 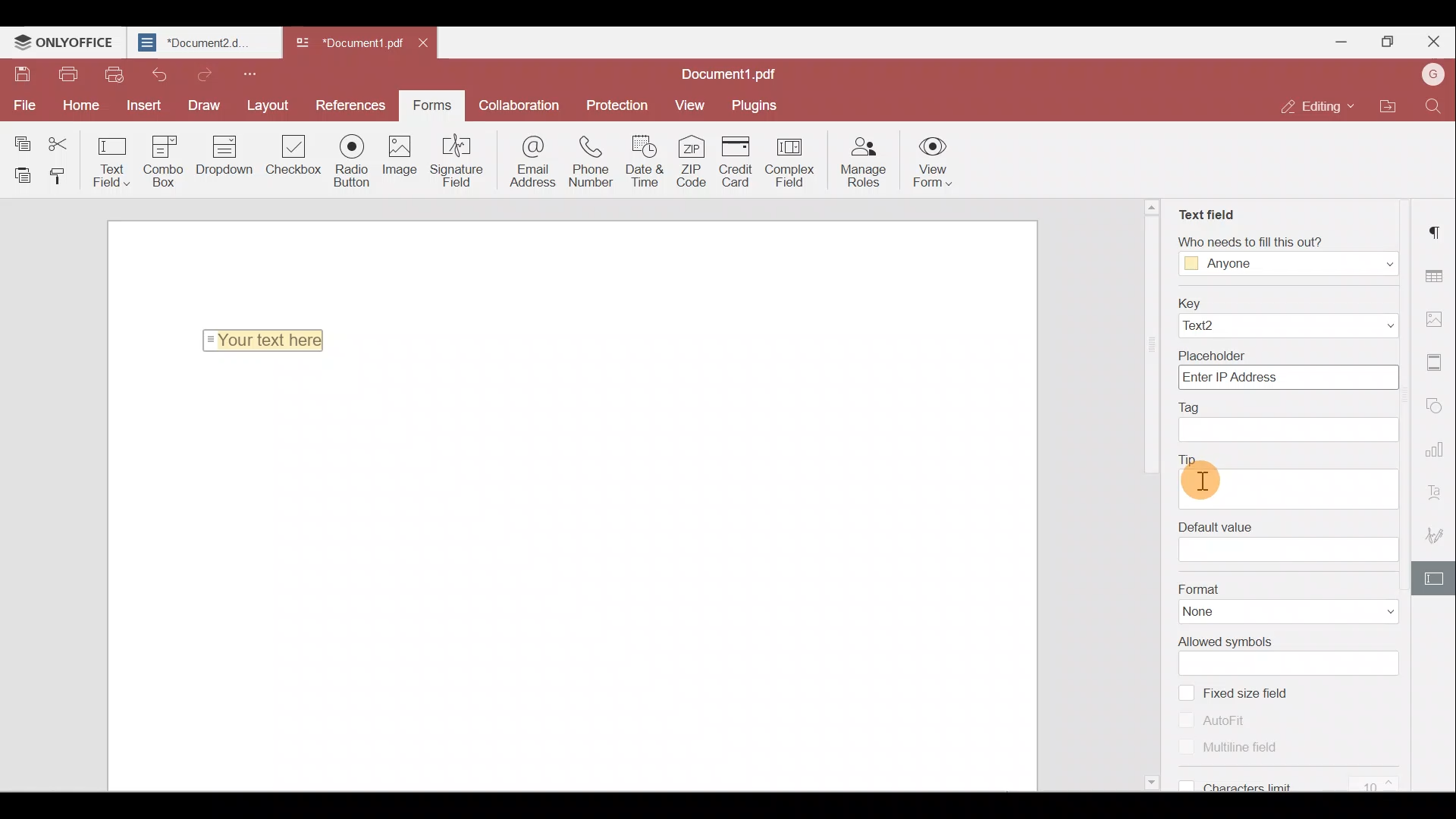 I want to click on Document1. pdf, so click(x=346, y=42).